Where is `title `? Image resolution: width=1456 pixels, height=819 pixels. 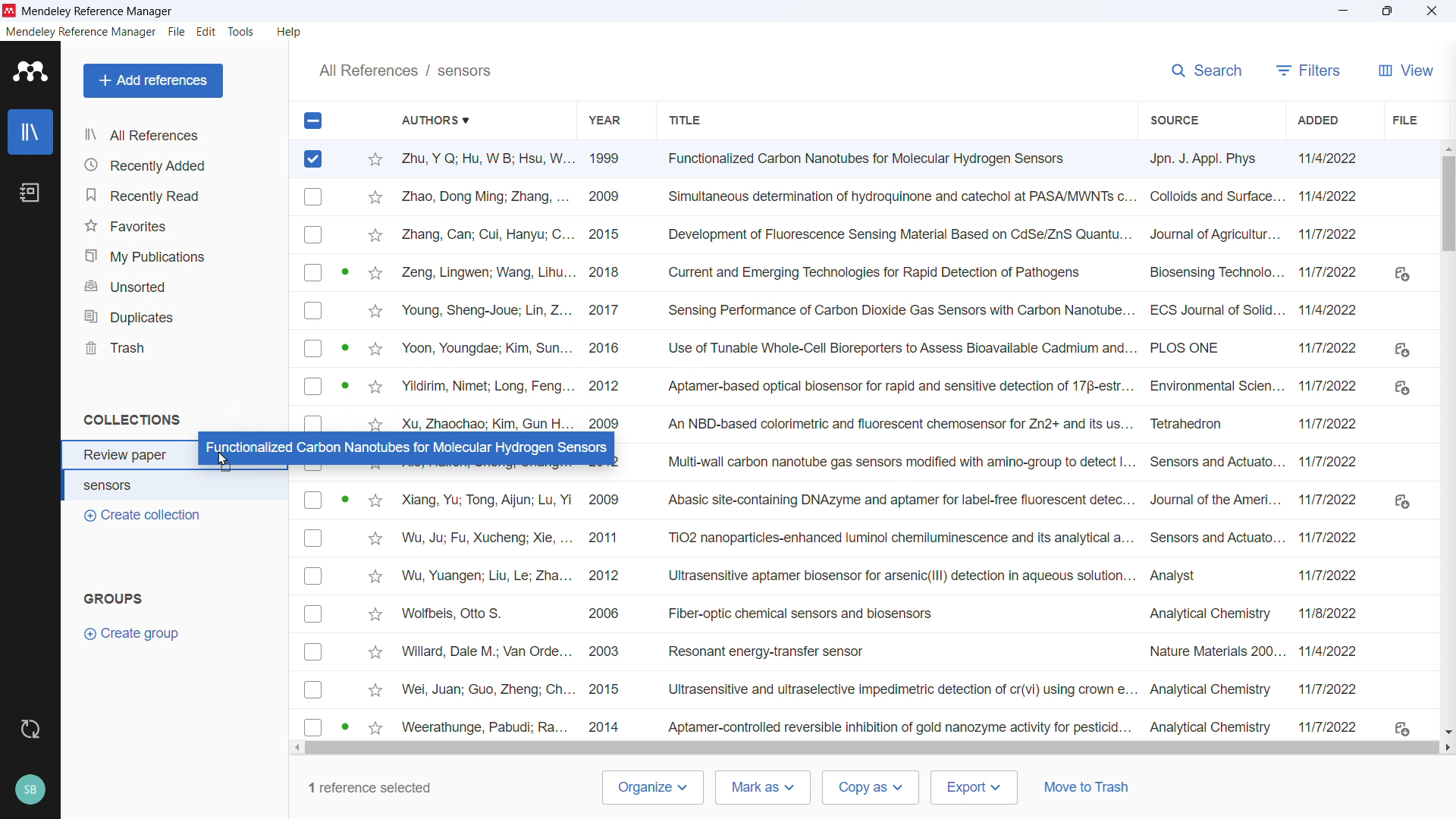 title  is located at coordinates (98, 11).